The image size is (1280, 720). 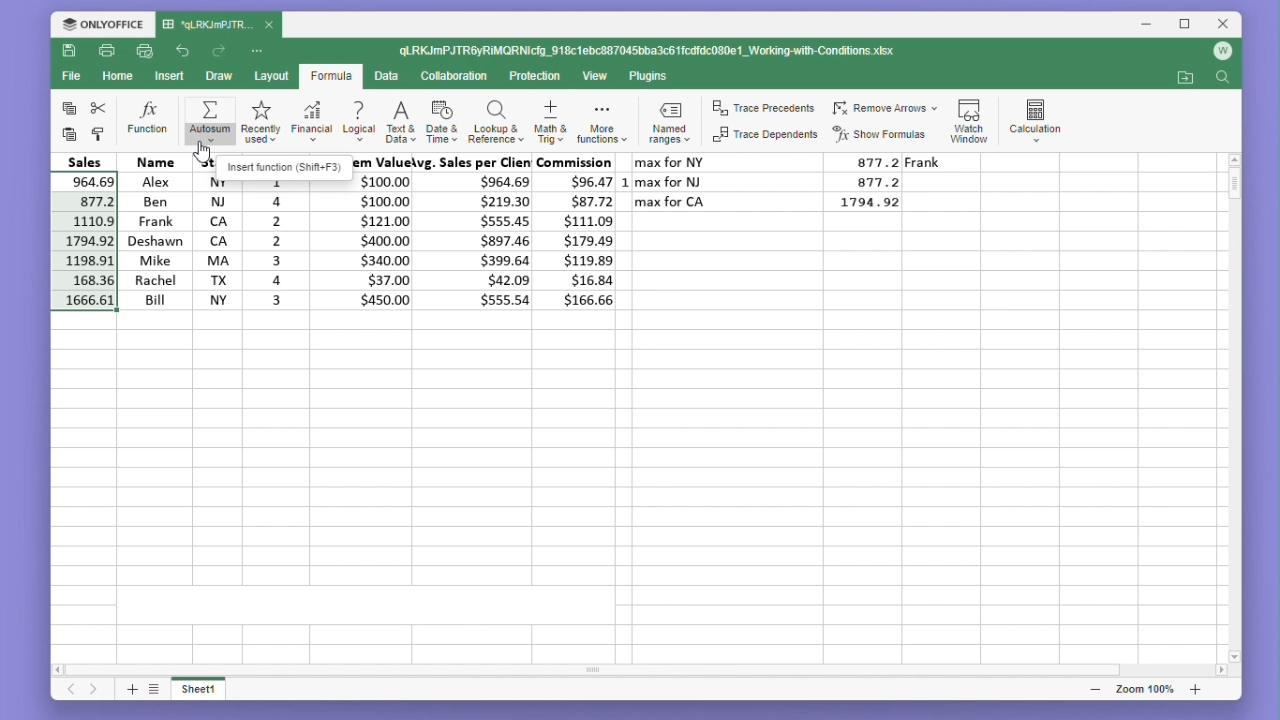 What do you see at coordinates (777, 205) in the screenshot?
I see `max for LA 1794.92` at bounding box center [777, 205].